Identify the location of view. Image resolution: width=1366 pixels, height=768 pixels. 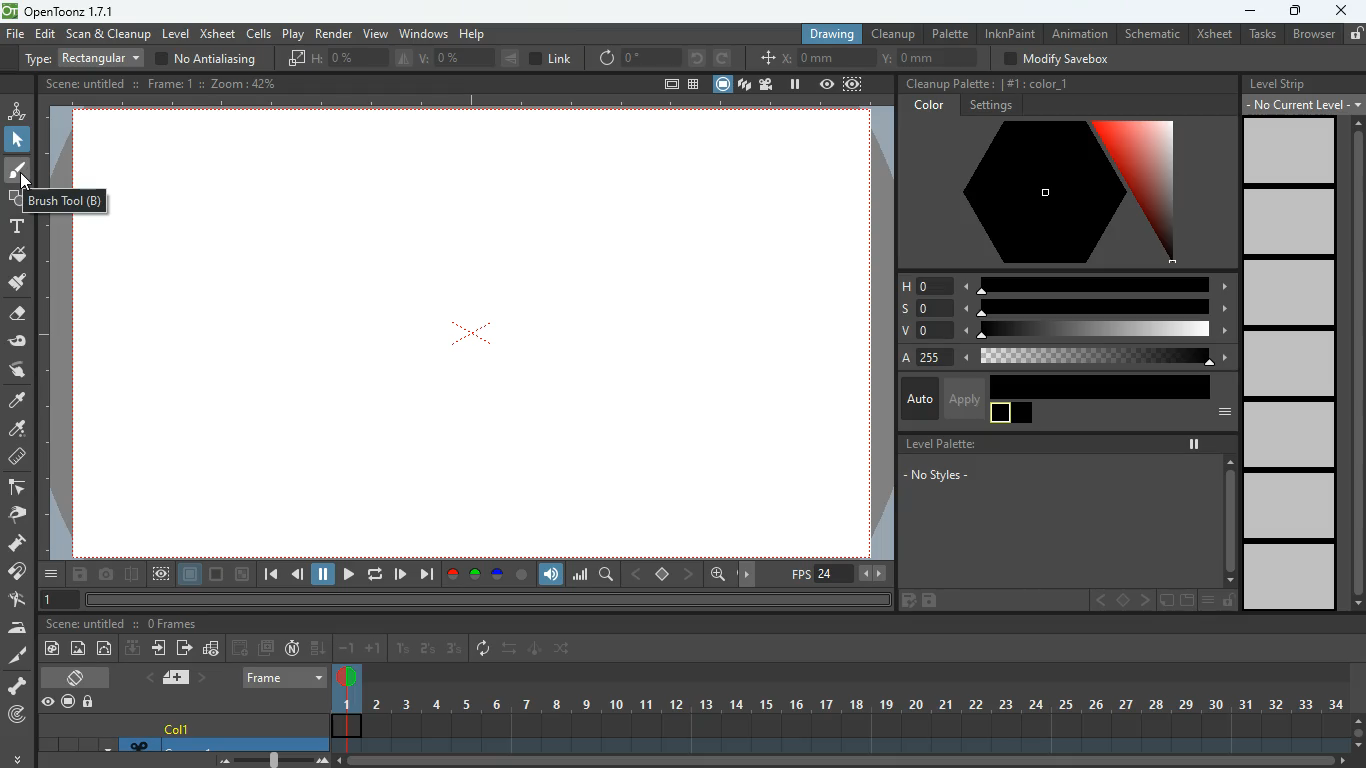
(374, 31).